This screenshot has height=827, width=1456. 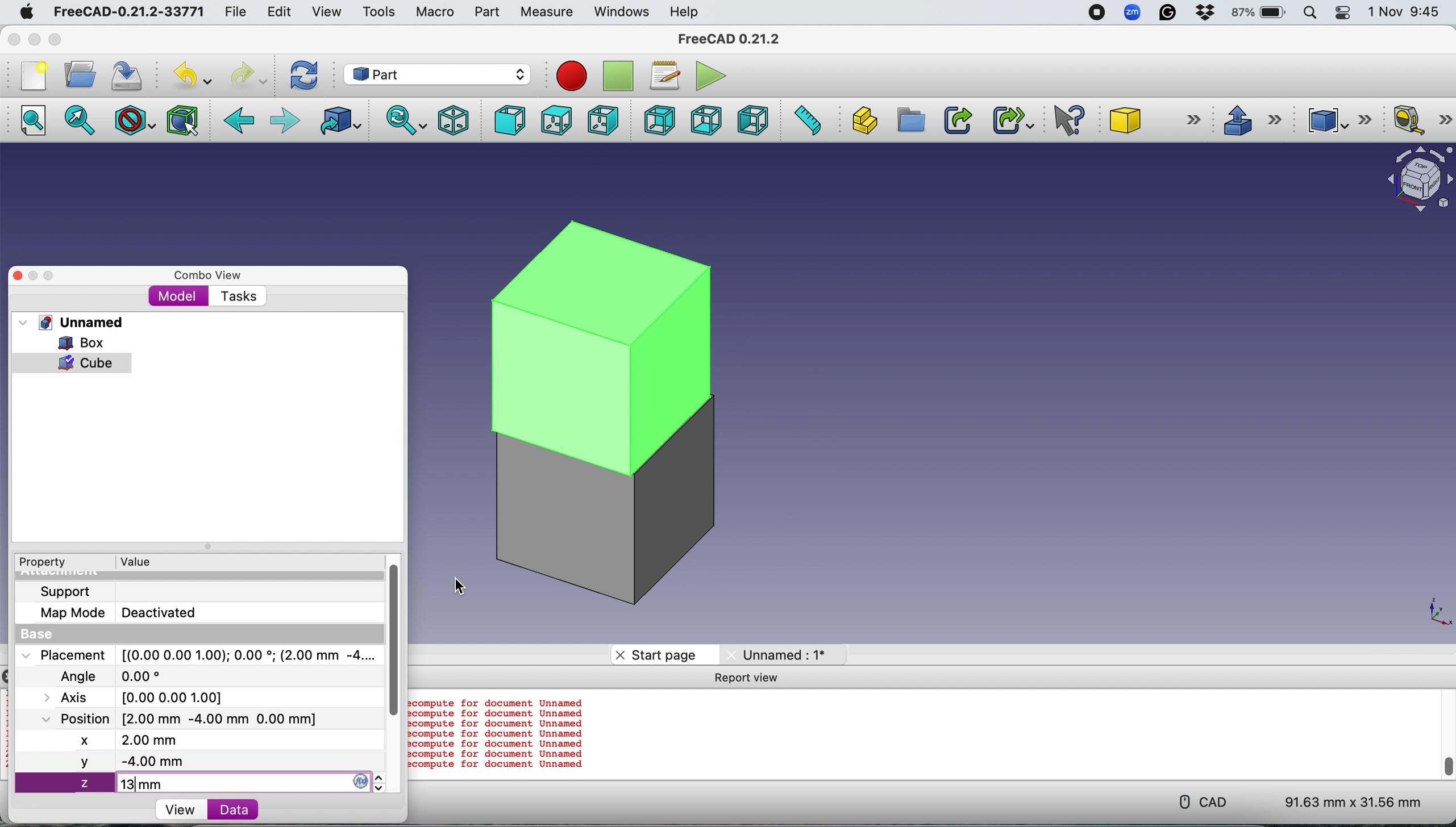 I want to click on Unnamed, so click(x=84, y=322).